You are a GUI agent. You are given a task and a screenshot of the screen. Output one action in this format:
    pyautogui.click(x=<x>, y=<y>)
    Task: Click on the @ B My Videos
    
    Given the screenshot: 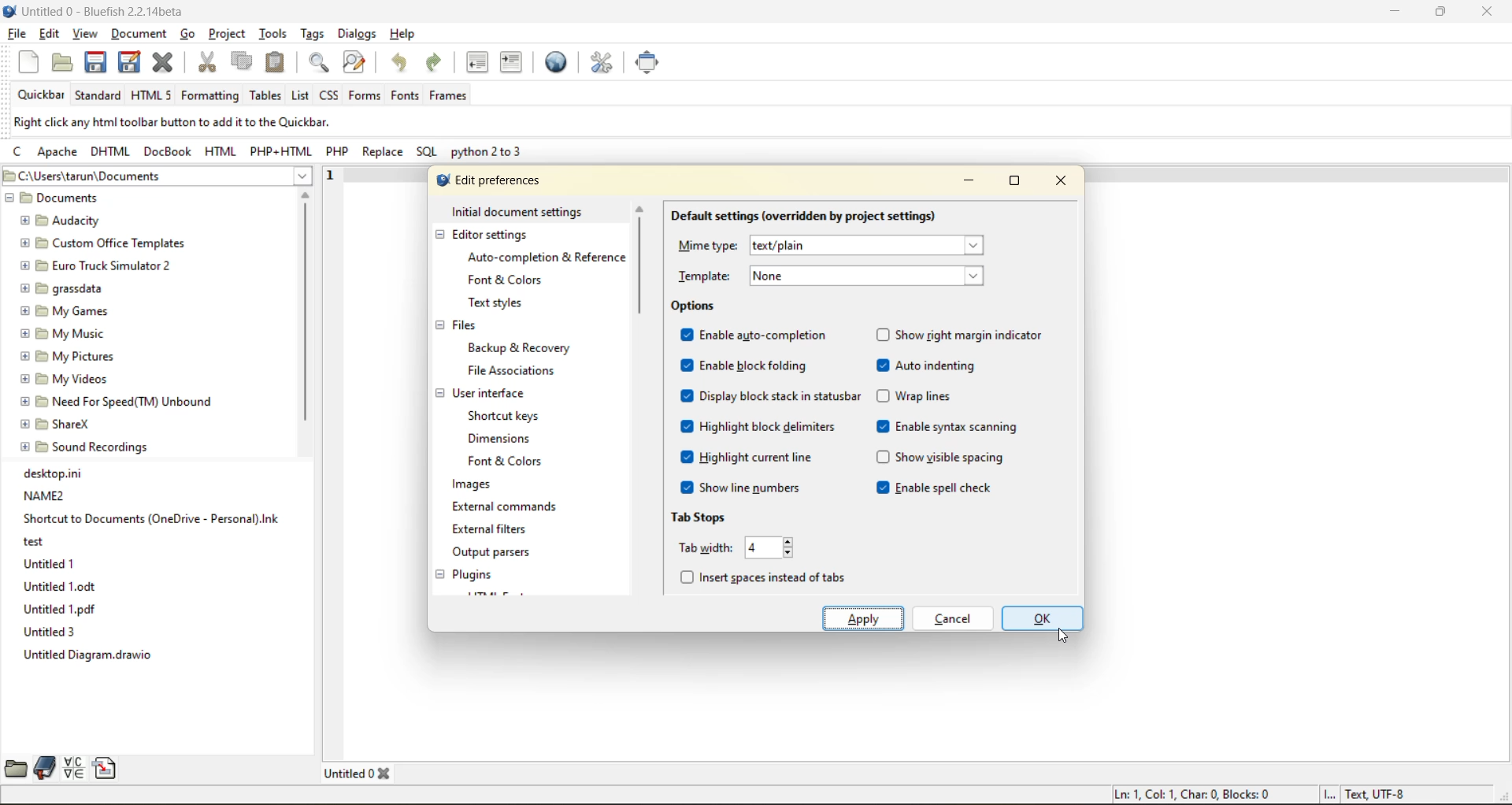 What is the action you would take?
    pyautogui.click(x=65, y=377)
    